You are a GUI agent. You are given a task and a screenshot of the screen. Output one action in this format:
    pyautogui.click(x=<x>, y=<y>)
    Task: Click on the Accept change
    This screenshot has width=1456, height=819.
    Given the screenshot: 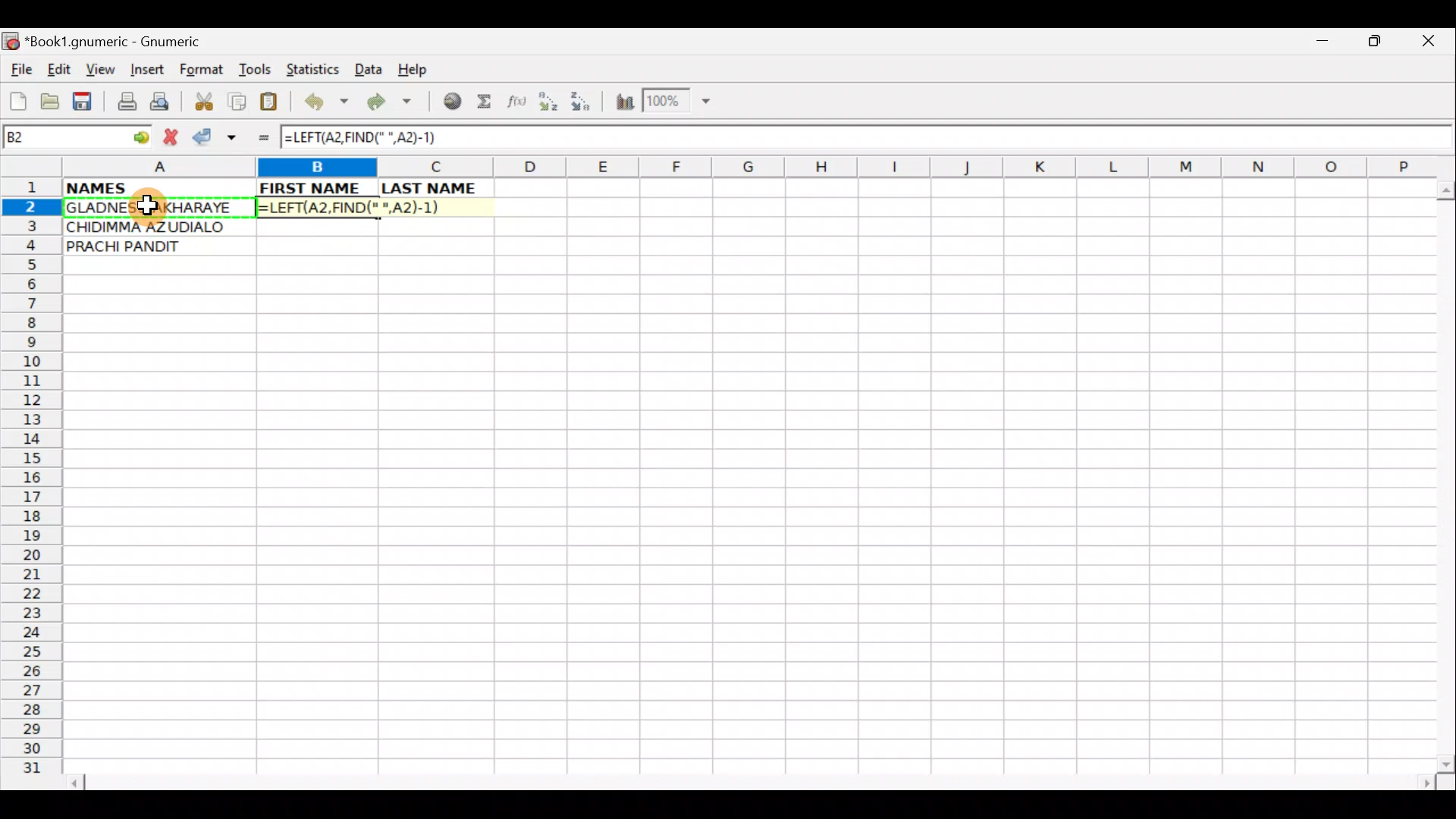 What is the action you would take?
    pyautogui.click(x=217, y=137)
    